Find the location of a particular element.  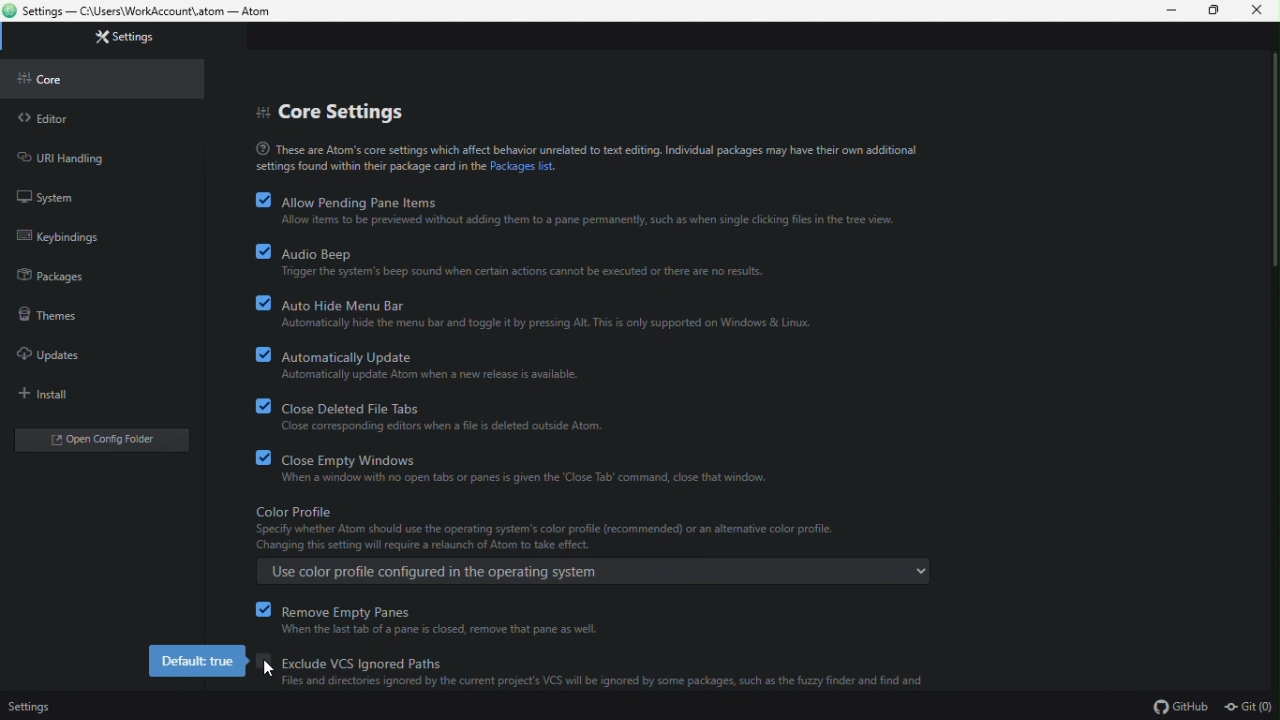

Text is located at coordinates (587, 157).